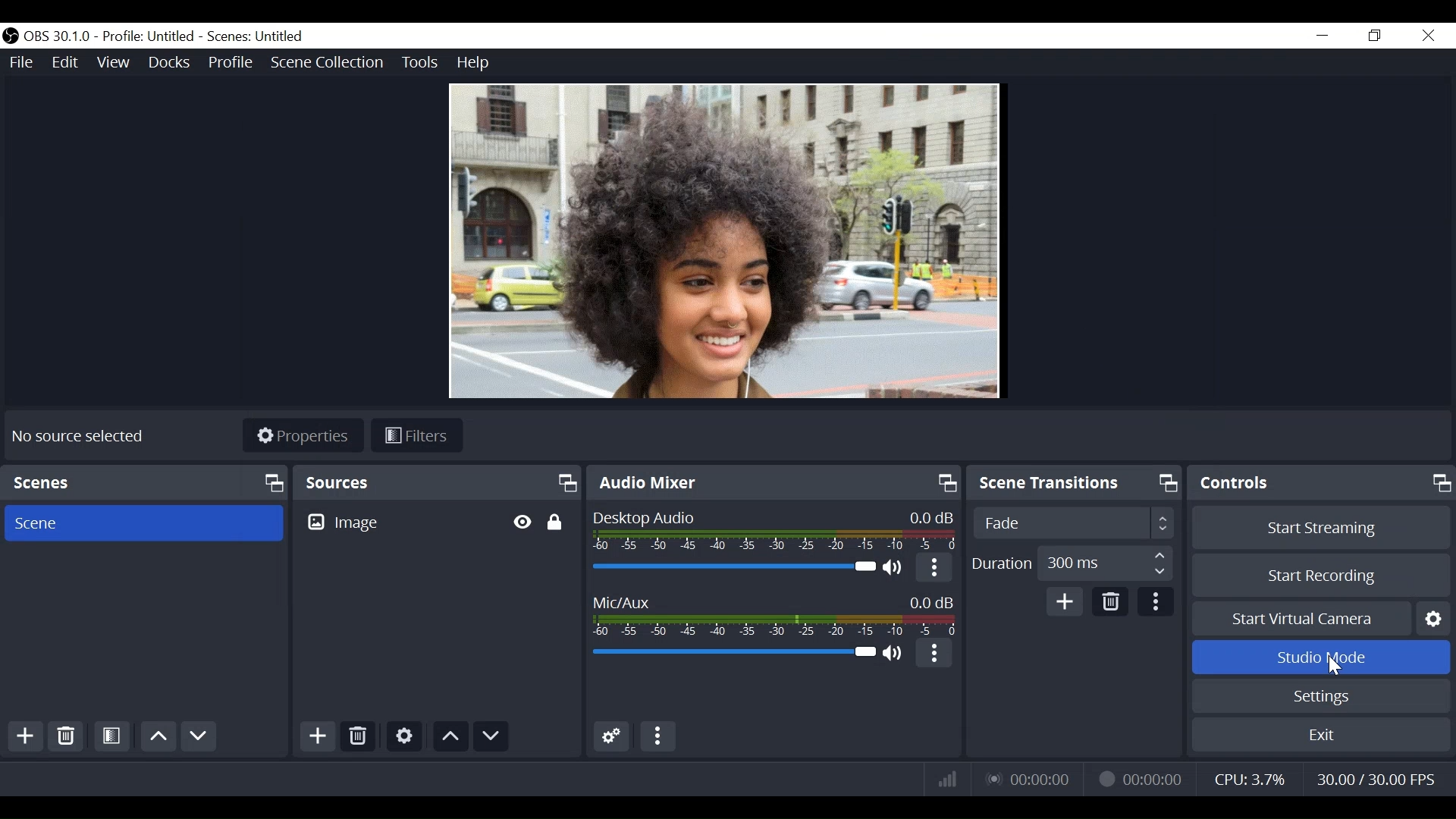 The width and height of the screenshot is (1456, 819). I want to click on Settings, so click(406, 736).